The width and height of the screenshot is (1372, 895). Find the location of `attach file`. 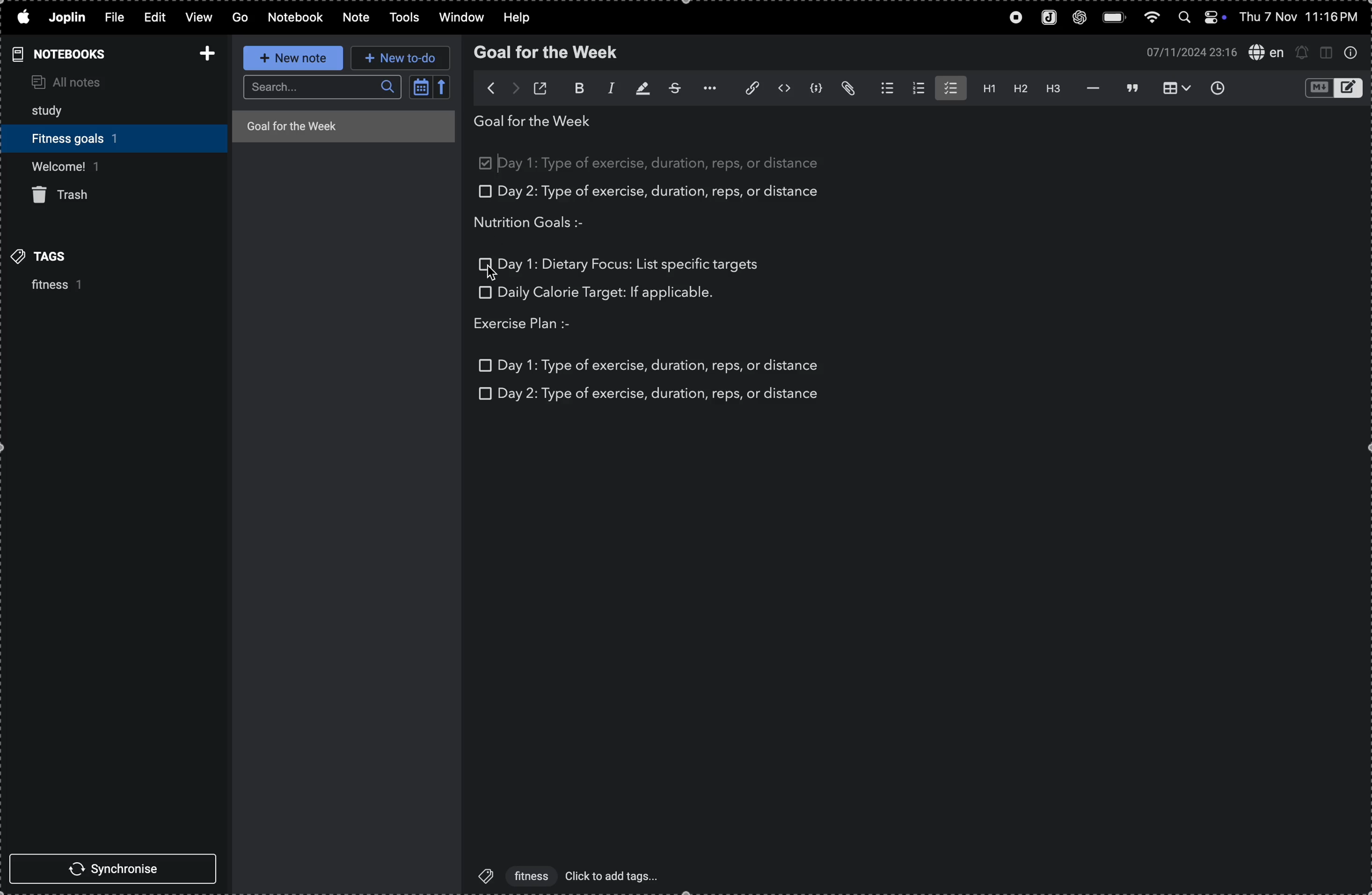

attach file is located at coordinates (849, 89).